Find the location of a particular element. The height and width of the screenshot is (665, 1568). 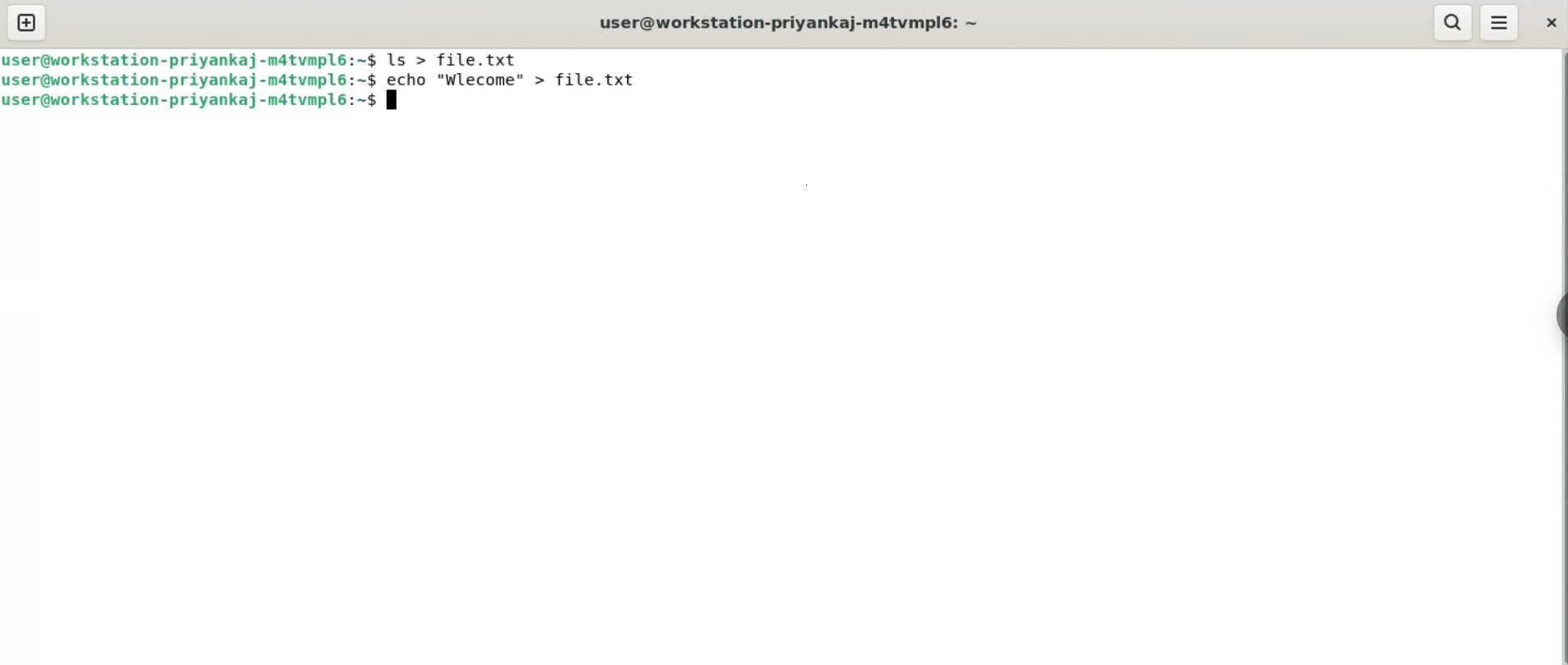

echo "Wlecome" > file.txt is located at coordinates (521, 79).